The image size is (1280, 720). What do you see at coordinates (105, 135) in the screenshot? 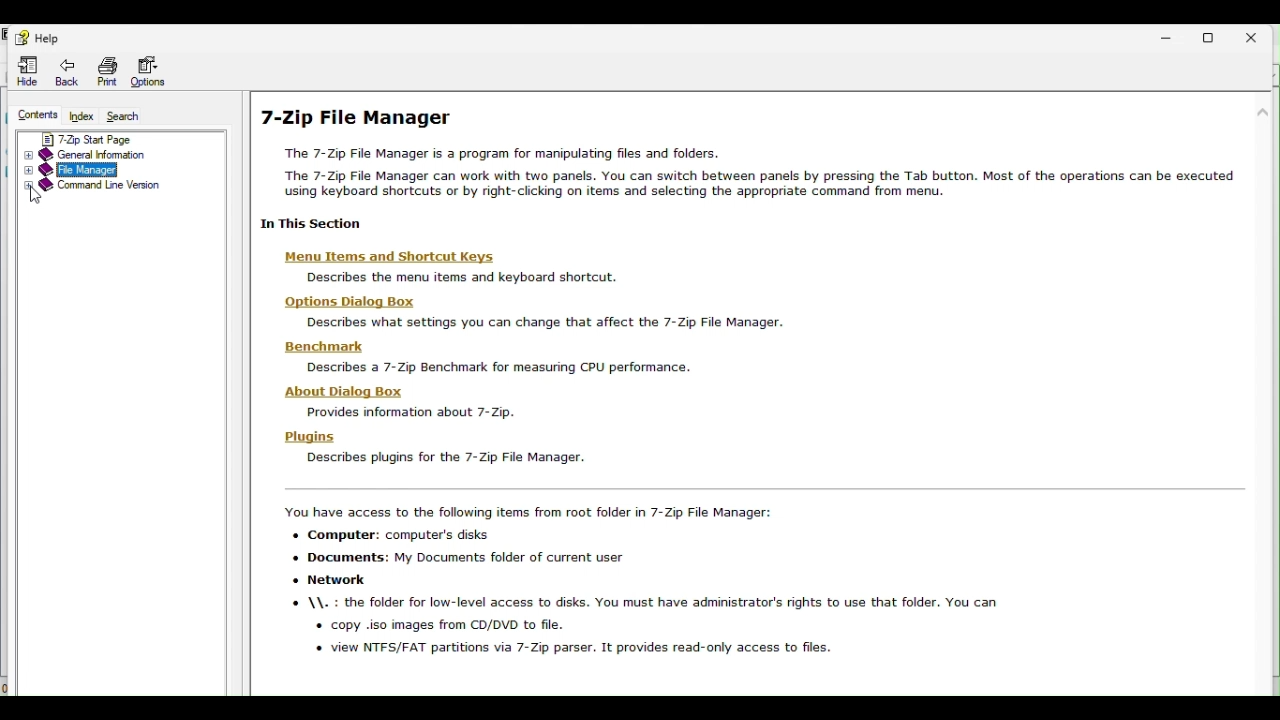
I see `7 zip start start page` at bounding box center [105, 135].